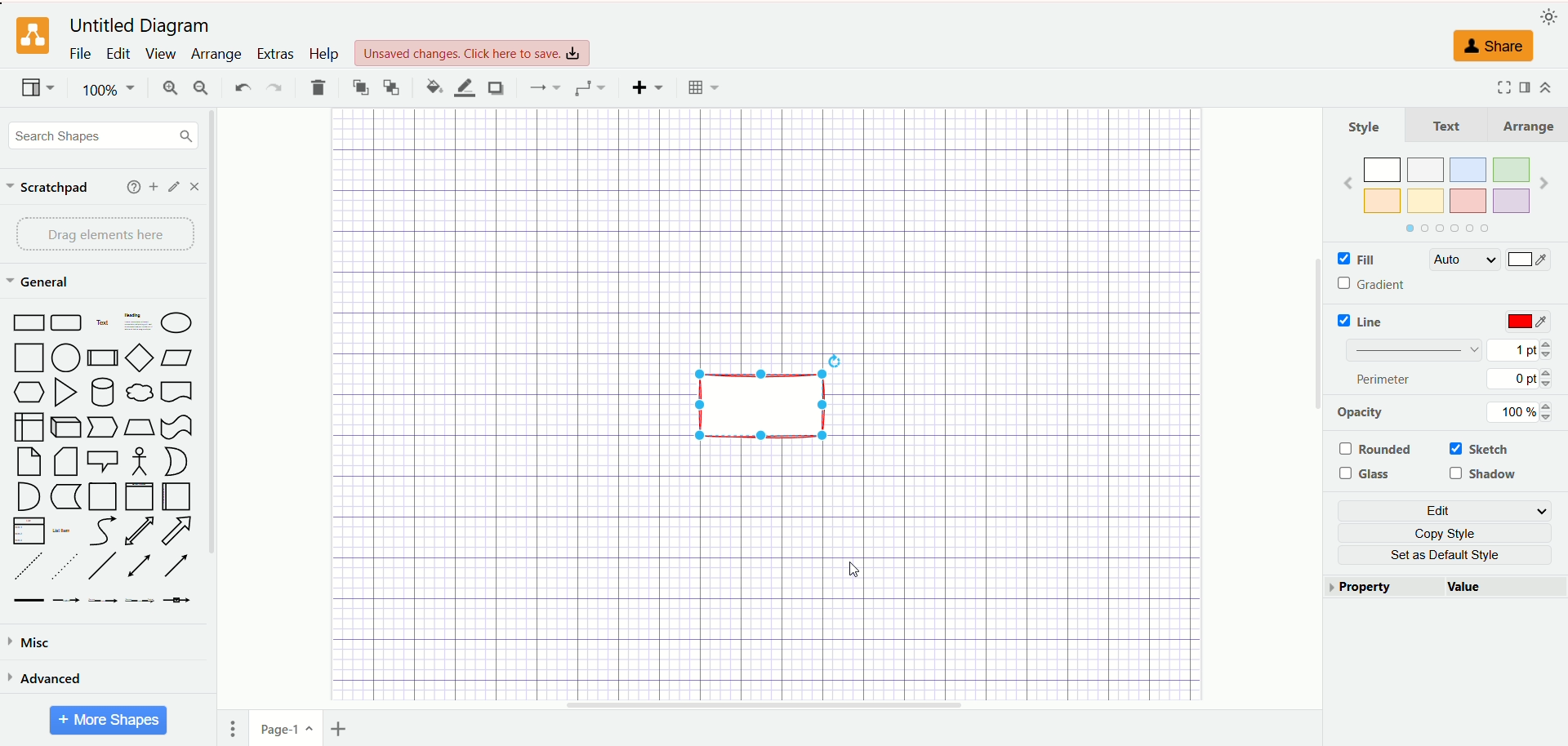  I want to click on table, so click(706, 89).